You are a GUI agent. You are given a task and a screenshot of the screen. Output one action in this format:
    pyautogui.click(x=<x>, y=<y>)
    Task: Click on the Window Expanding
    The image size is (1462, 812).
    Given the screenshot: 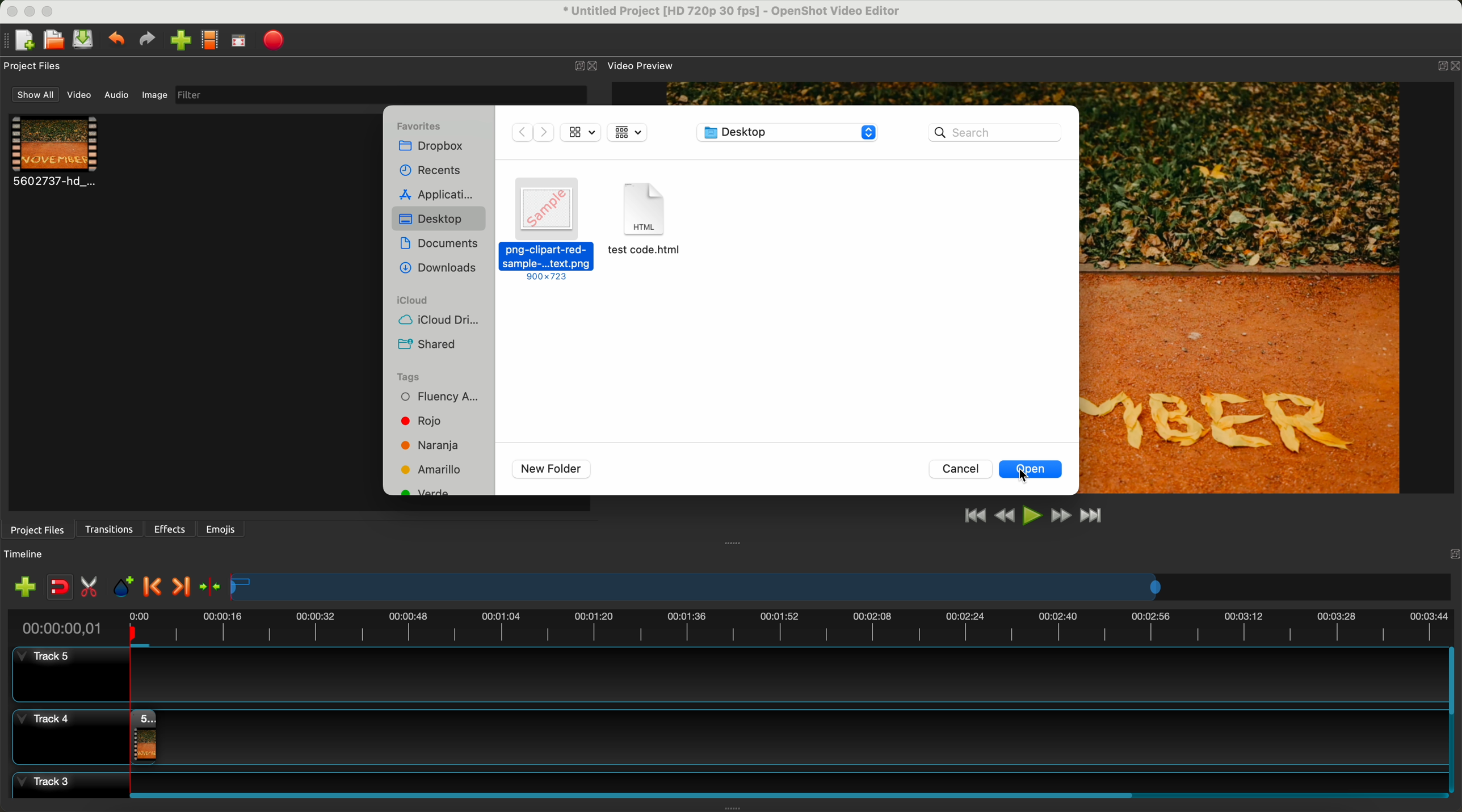 What is the action you would take?
    pyautogui.click(x=733, y=808)
    